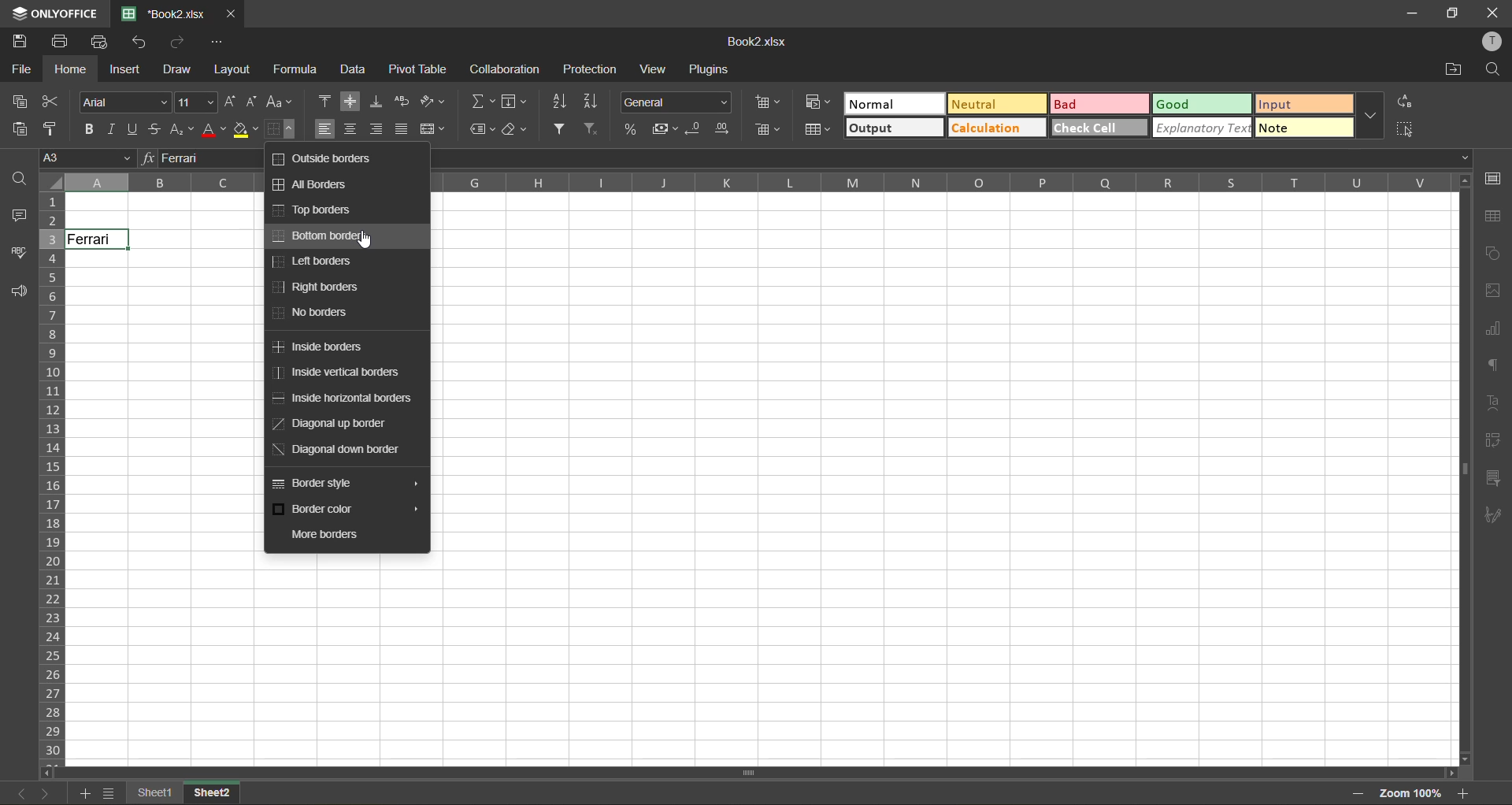 This screenshot has height=805, width=1512. What do you see at coordinates (71, 69) in the screenshot?
I see `home` at bounding box center [71, 69].